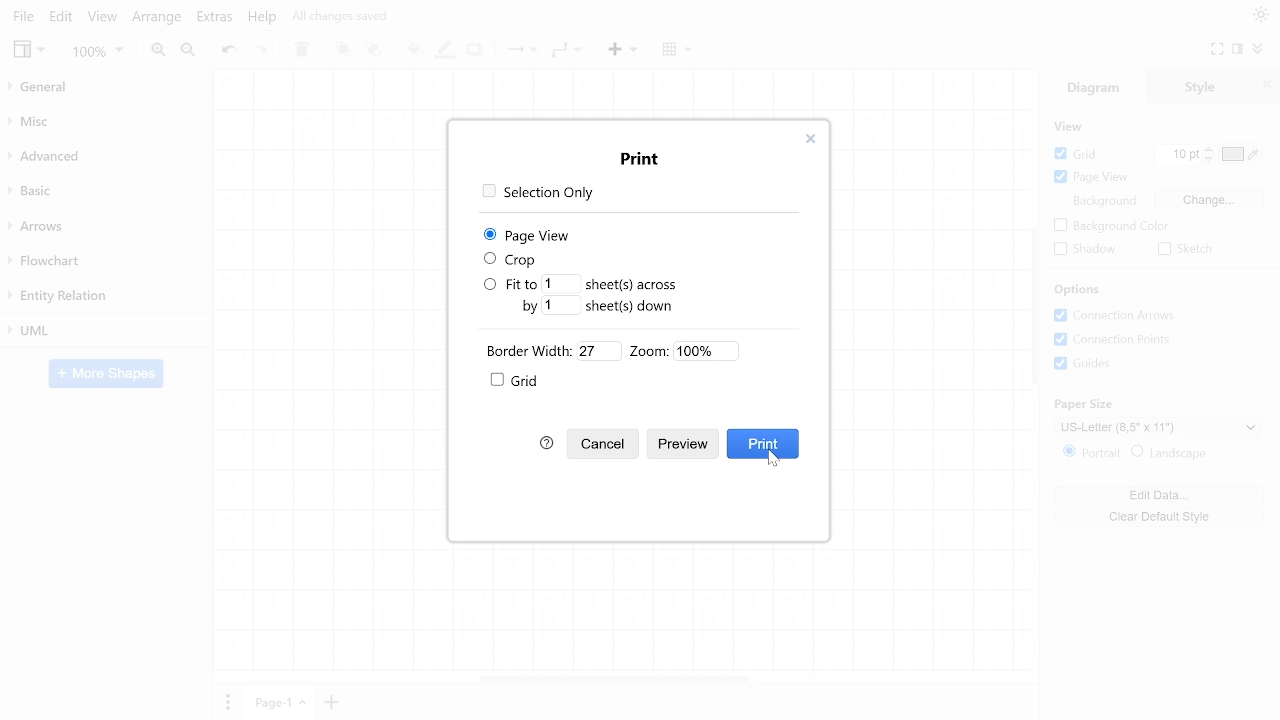 Image resolution: width=1280 pixels, height=720 pixels. What do you see at coordinates (1210, 148) in the screenshot?
I see `iNCREASE GRID PT` at bounding box center [1210, 148].